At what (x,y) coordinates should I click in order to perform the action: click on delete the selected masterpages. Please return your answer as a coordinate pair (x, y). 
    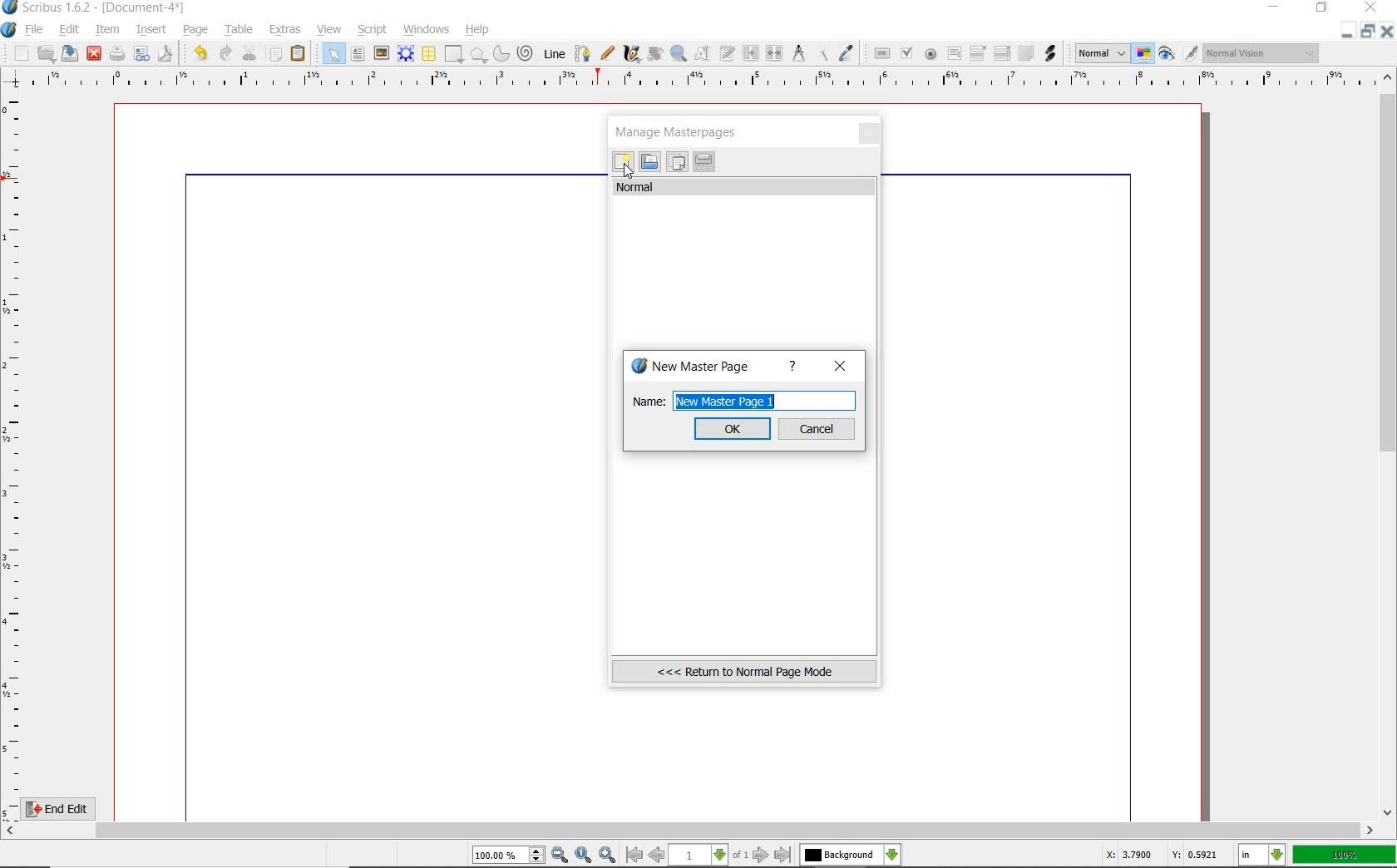
    Looking at the image, I should click on (704, 162).